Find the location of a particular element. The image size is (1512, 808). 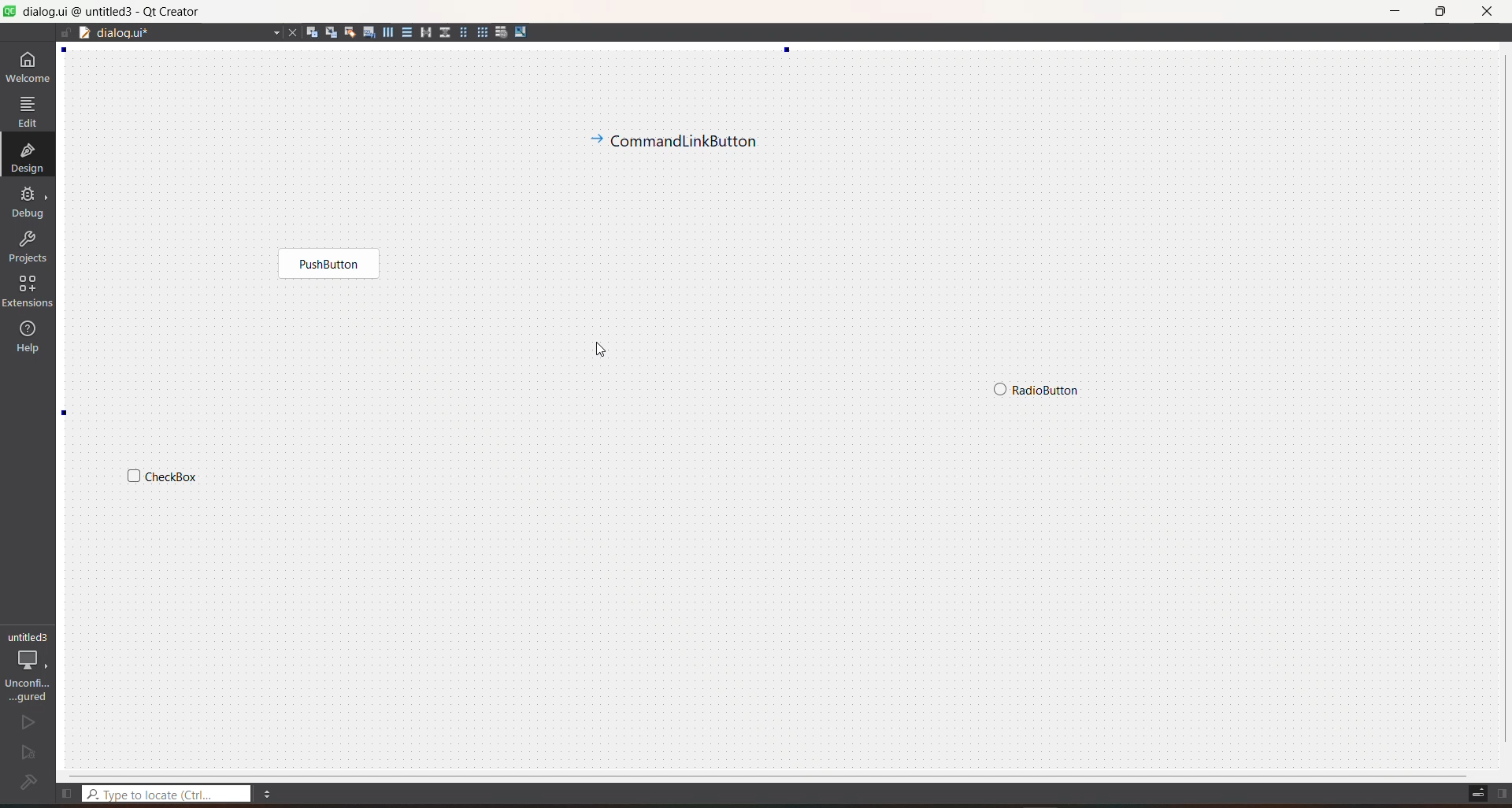

layout in a form is located at coordinates (463, 33).